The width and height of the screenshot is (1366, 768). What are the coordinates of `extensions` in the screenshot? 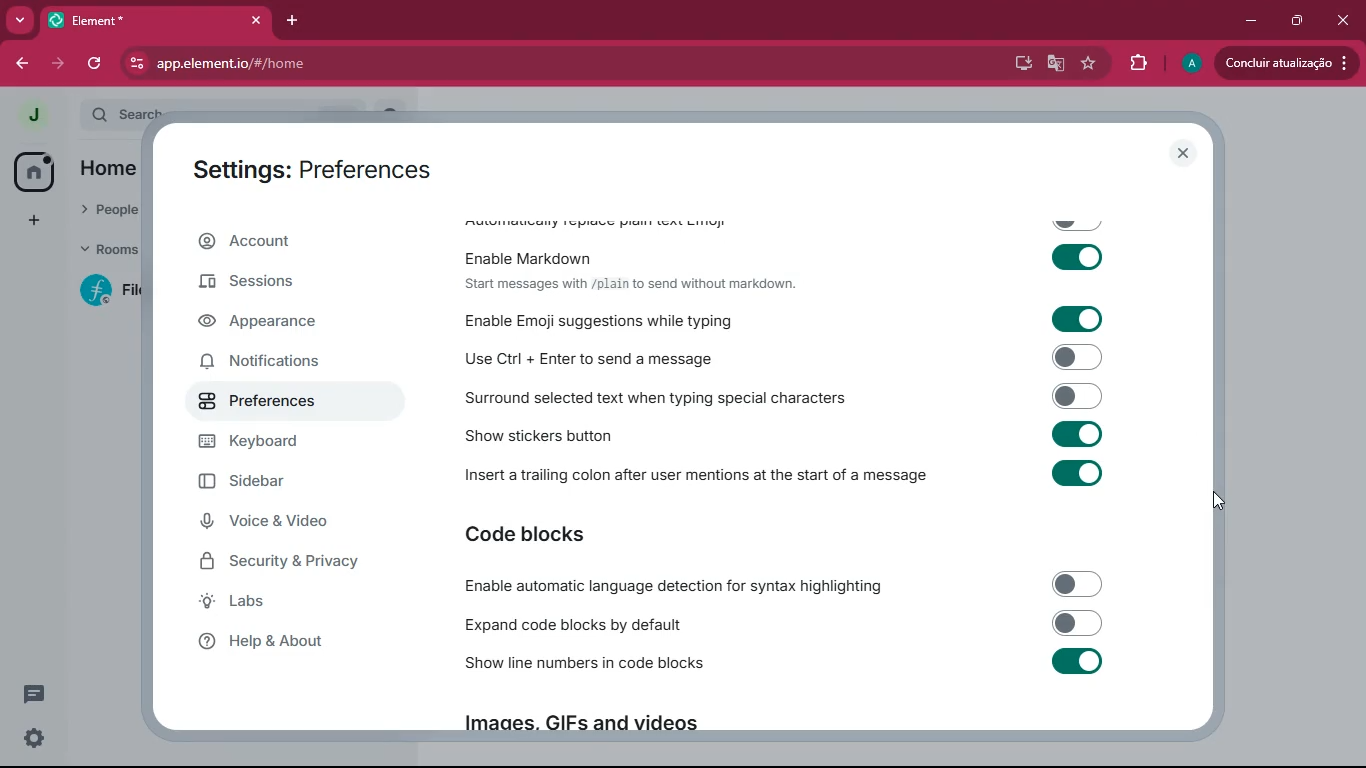 It's located at (1137, 66).